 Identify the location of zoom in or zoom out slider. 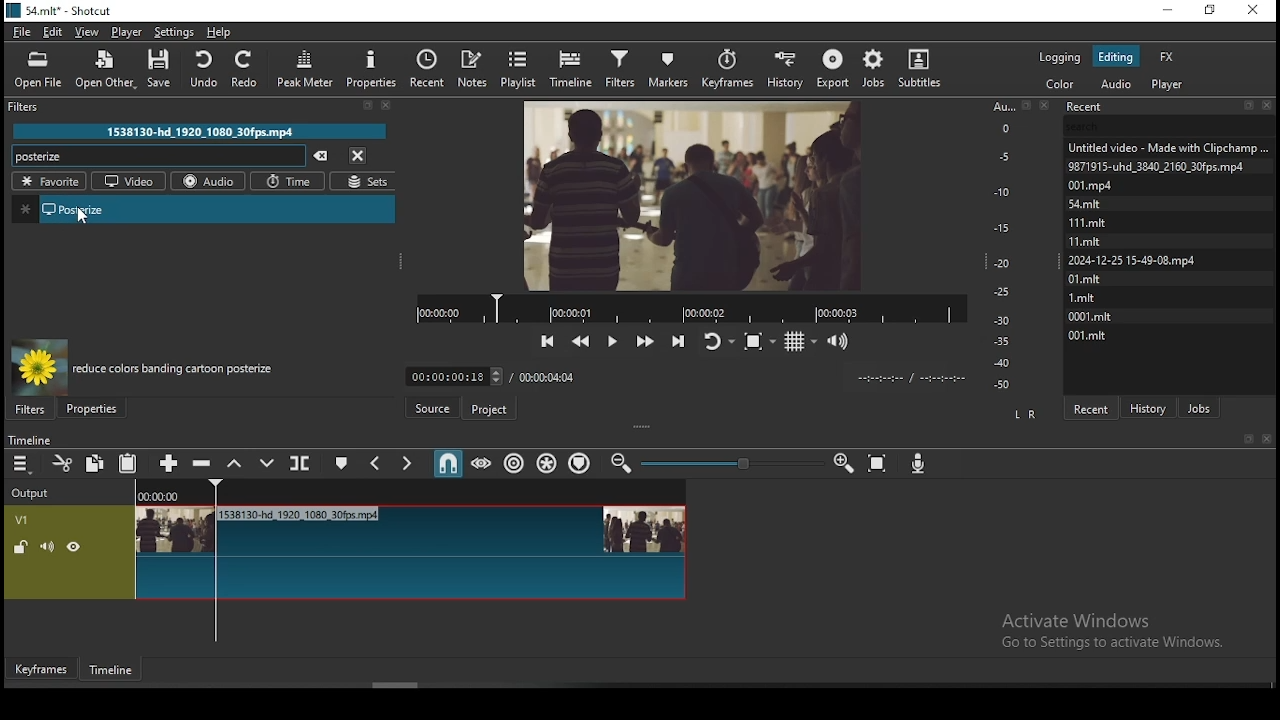
(728, 463).